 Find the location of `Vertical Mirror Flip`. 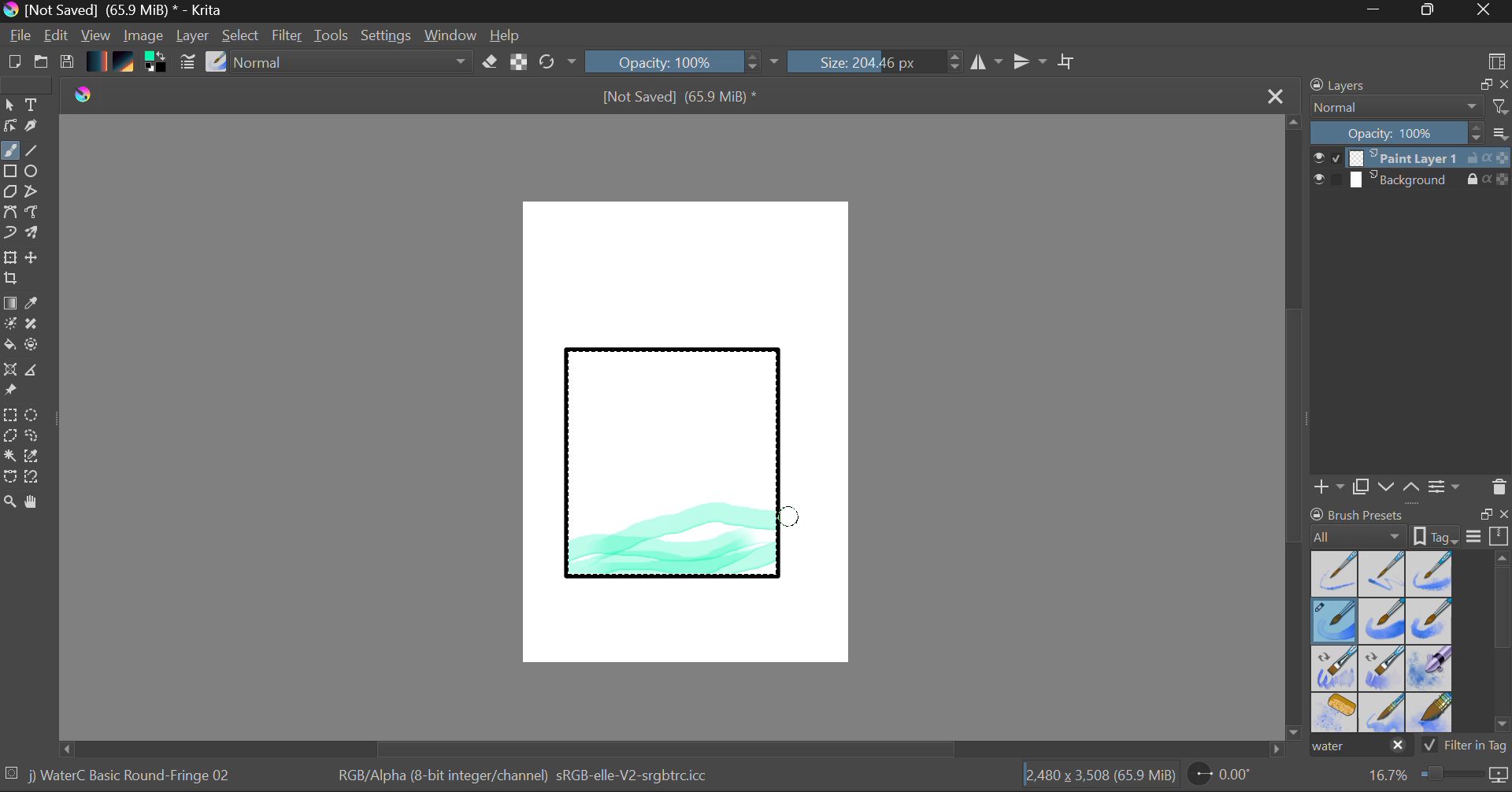

Vertical Mirror Flip is located at coordinates (986, 62).